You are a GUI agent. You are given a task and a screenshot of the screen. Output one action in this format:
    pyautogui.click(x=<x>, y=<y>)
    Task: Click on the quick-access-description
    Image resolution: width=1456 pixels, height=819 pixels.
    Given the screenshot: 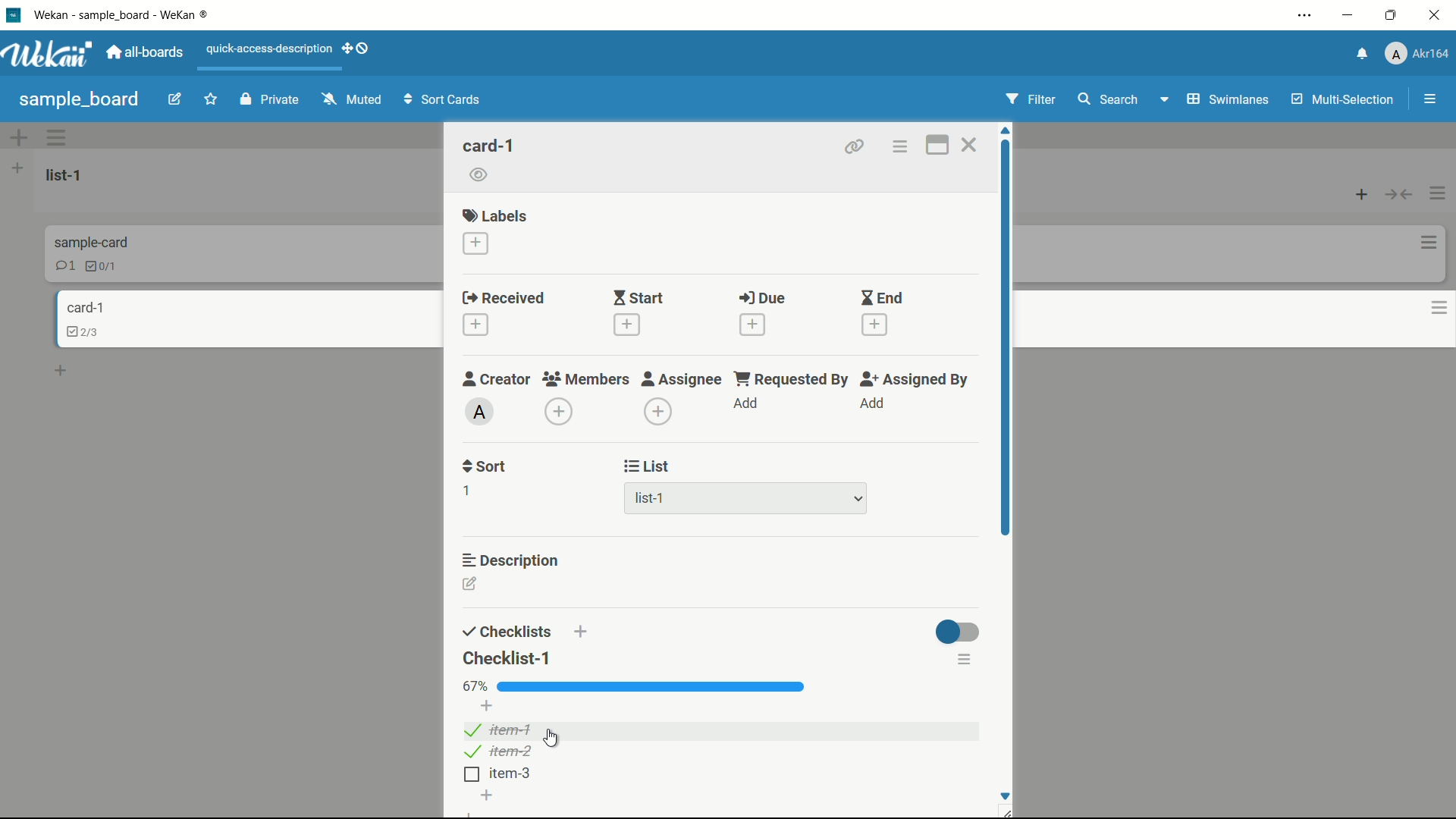 What is the action you would take?
    pyautogui.click(x=270, y=50)
    